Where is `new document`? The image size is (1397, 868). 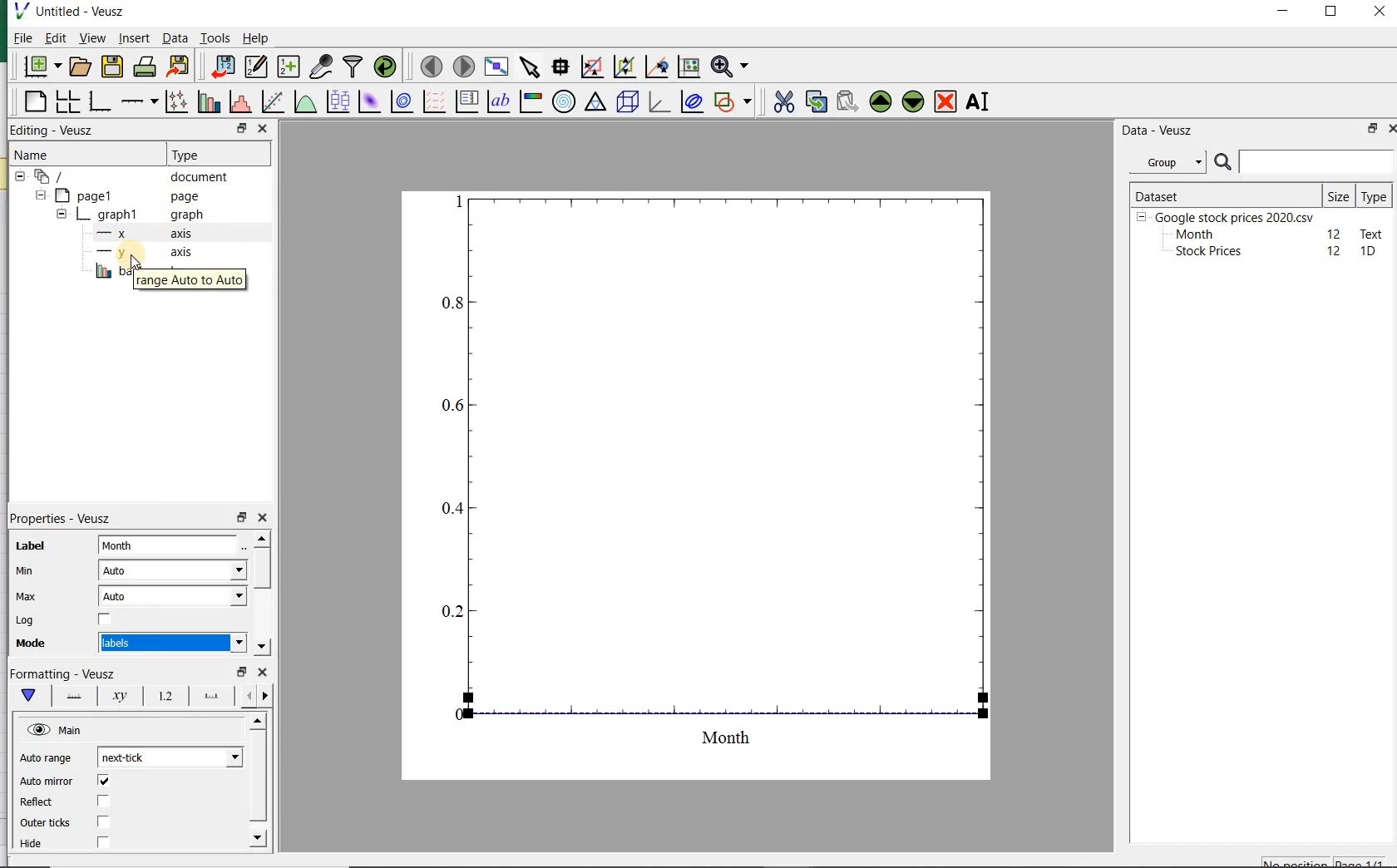 new document is located at coordinates (42, 67).